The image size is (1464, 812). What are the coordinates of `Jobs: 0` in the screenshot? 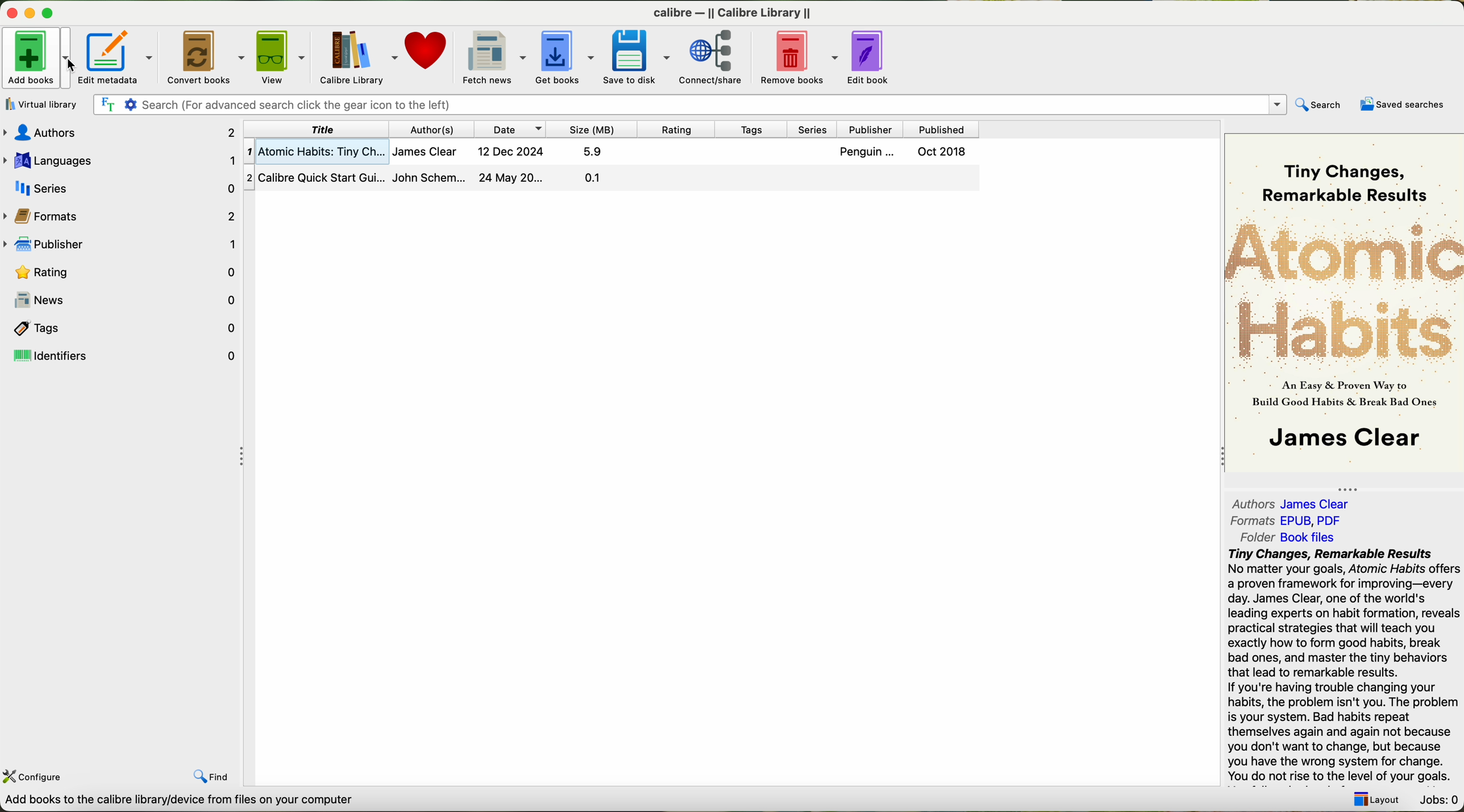 It's located at (1437, 801).